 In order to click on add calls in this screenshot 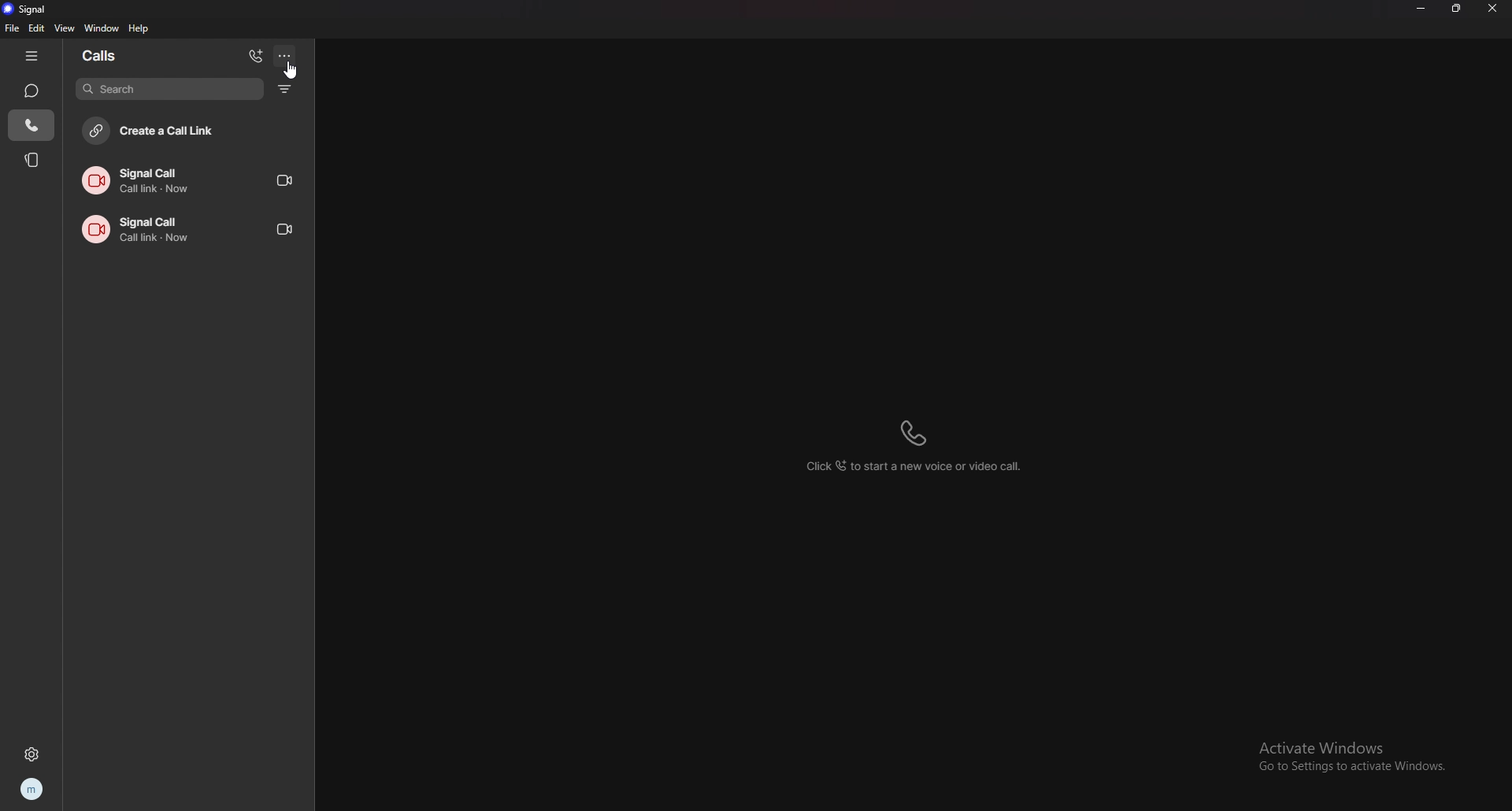, I will do `click(256, 56)`.